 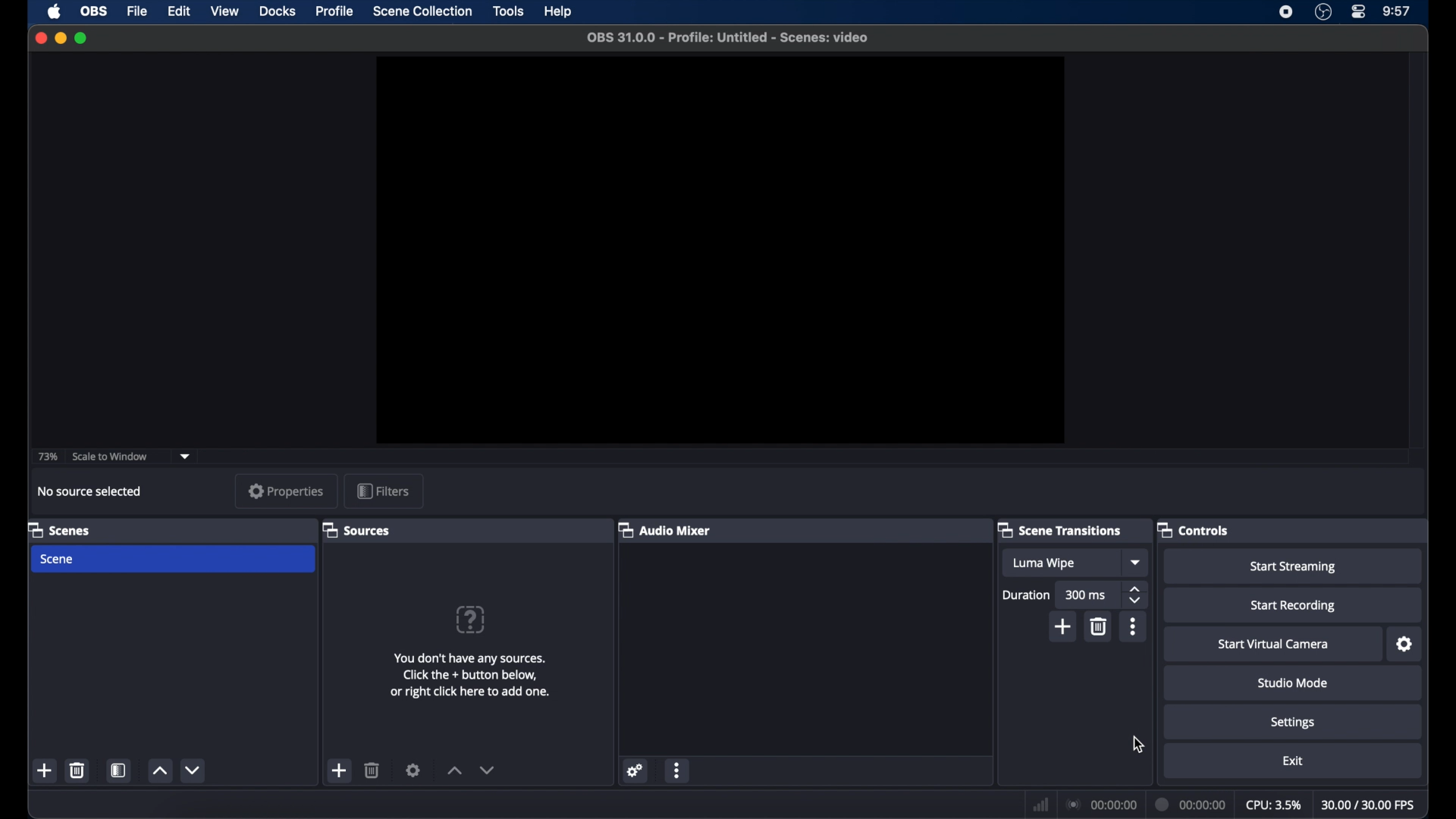 I want to click on connection, so click(x=1101, y=804).